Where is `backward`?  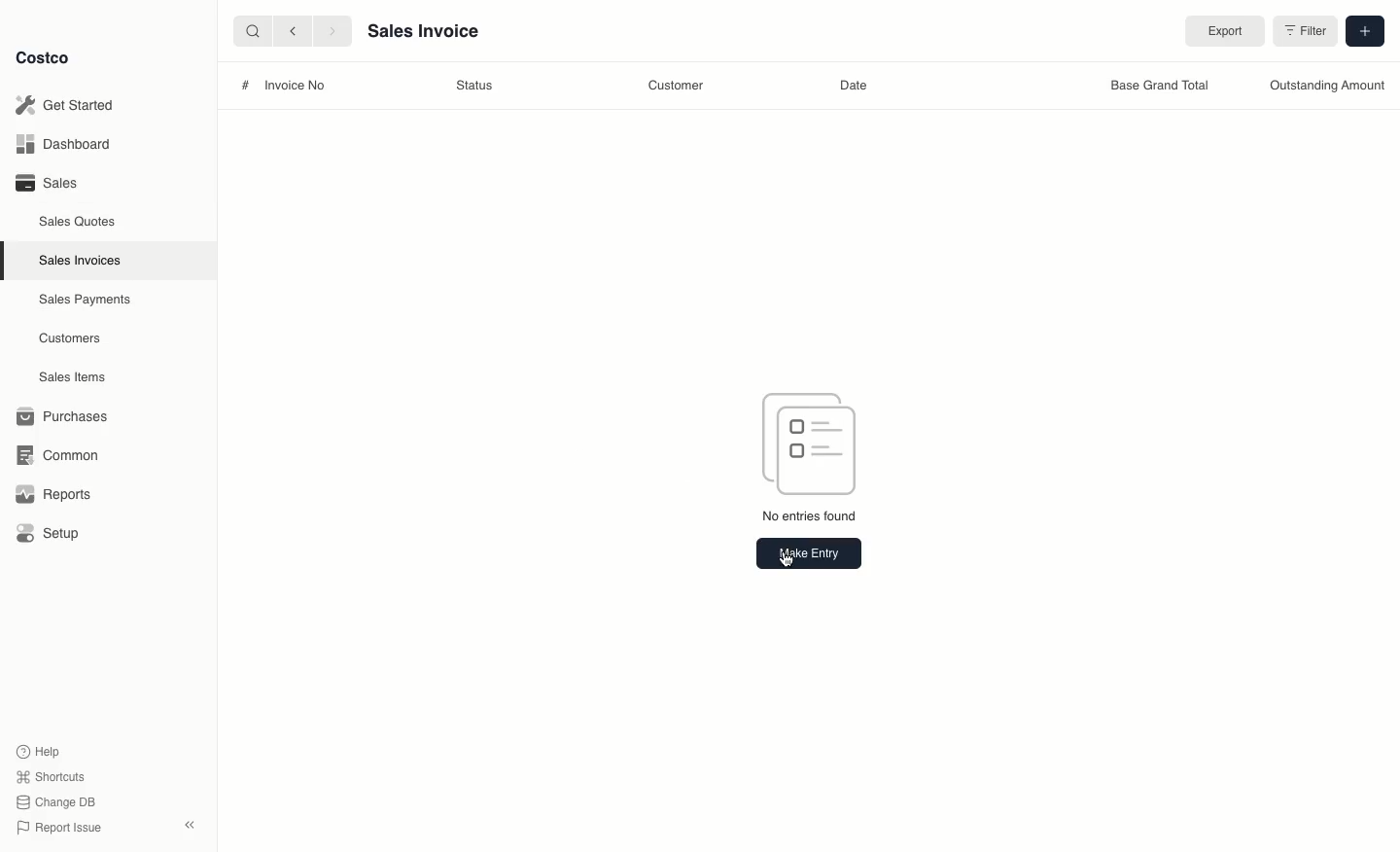 backward is located at coordinates (289, 30).